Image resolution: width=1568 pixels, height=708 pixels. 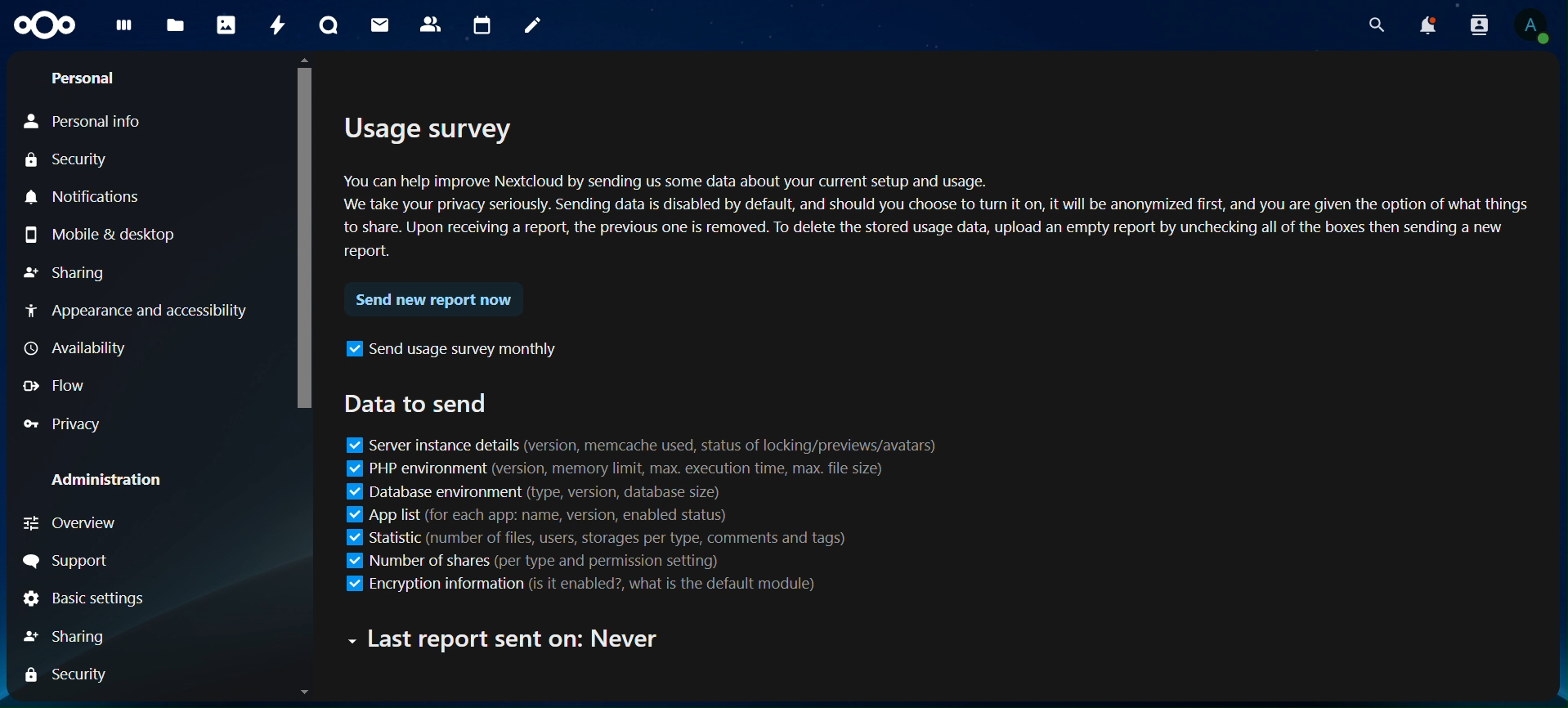 I want to click on Sharing, so click(x=66, y=273).